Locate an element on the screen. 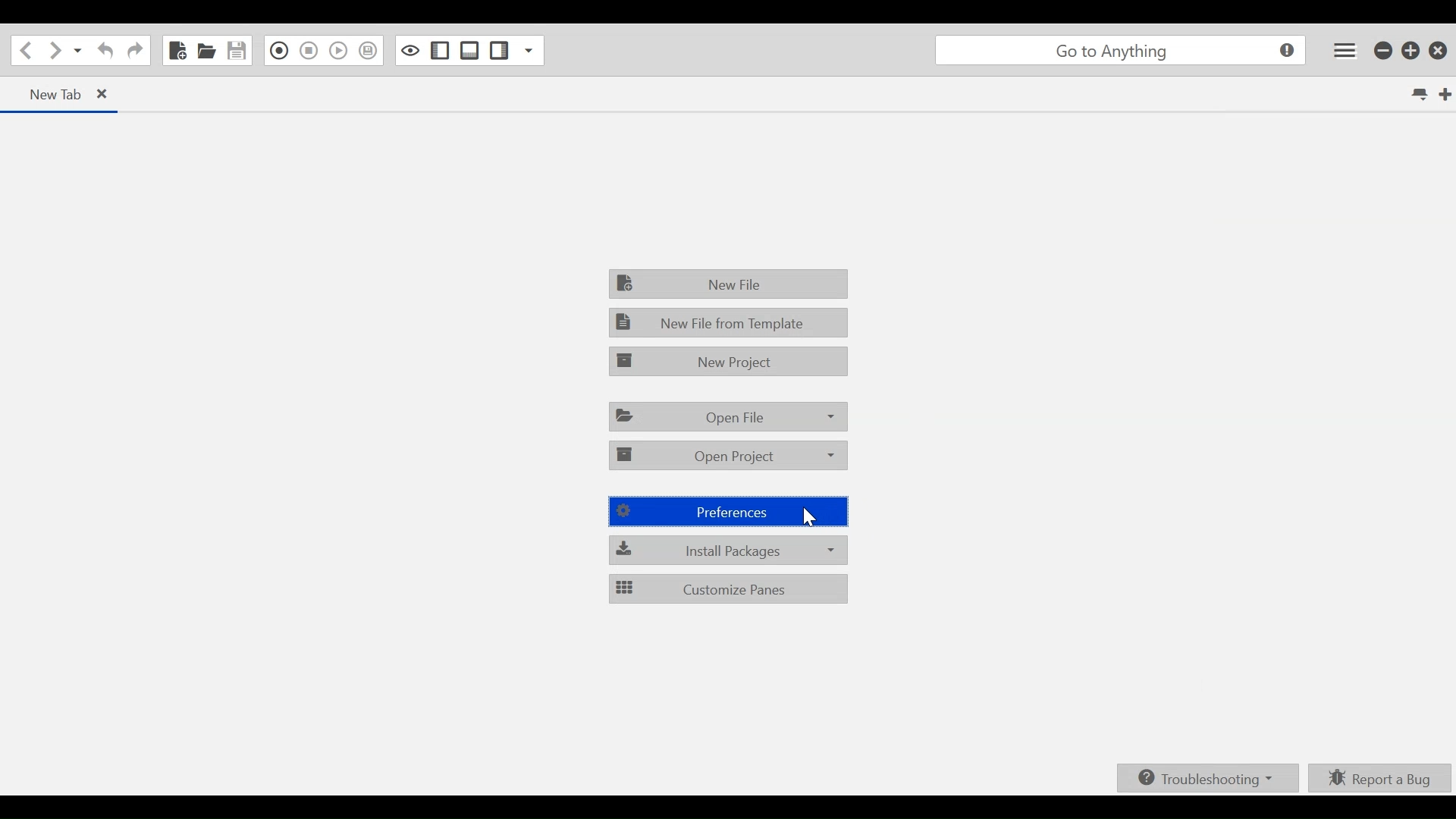  New Tab  is located at coordinates (1443, 93).